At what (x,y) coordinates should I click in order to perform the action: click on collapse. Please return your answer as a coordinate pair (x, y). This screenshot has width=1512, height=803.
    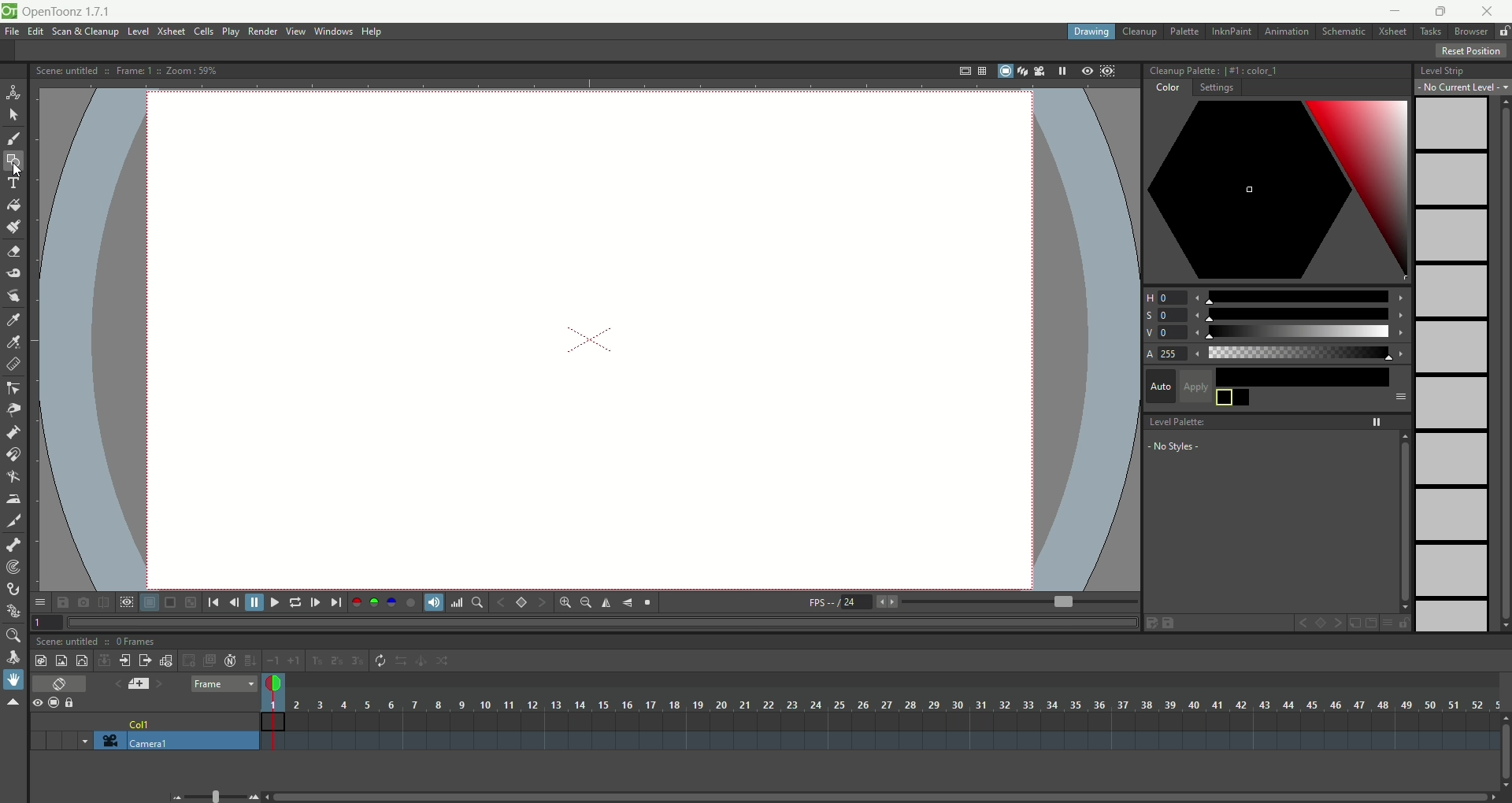
    Looking at the image, I should click on (104, 660).